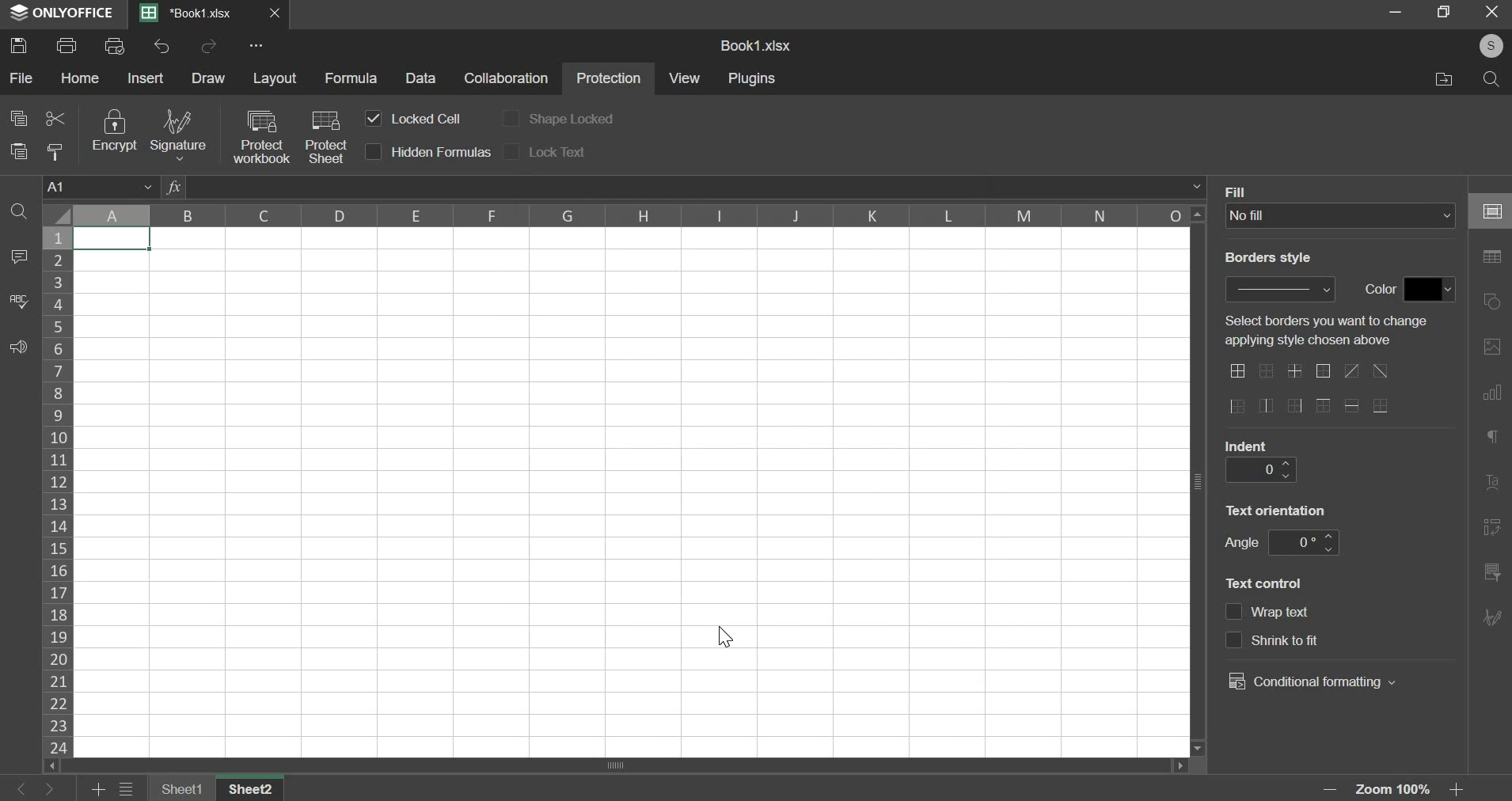  I want to click on border options, so click(1267, 373).